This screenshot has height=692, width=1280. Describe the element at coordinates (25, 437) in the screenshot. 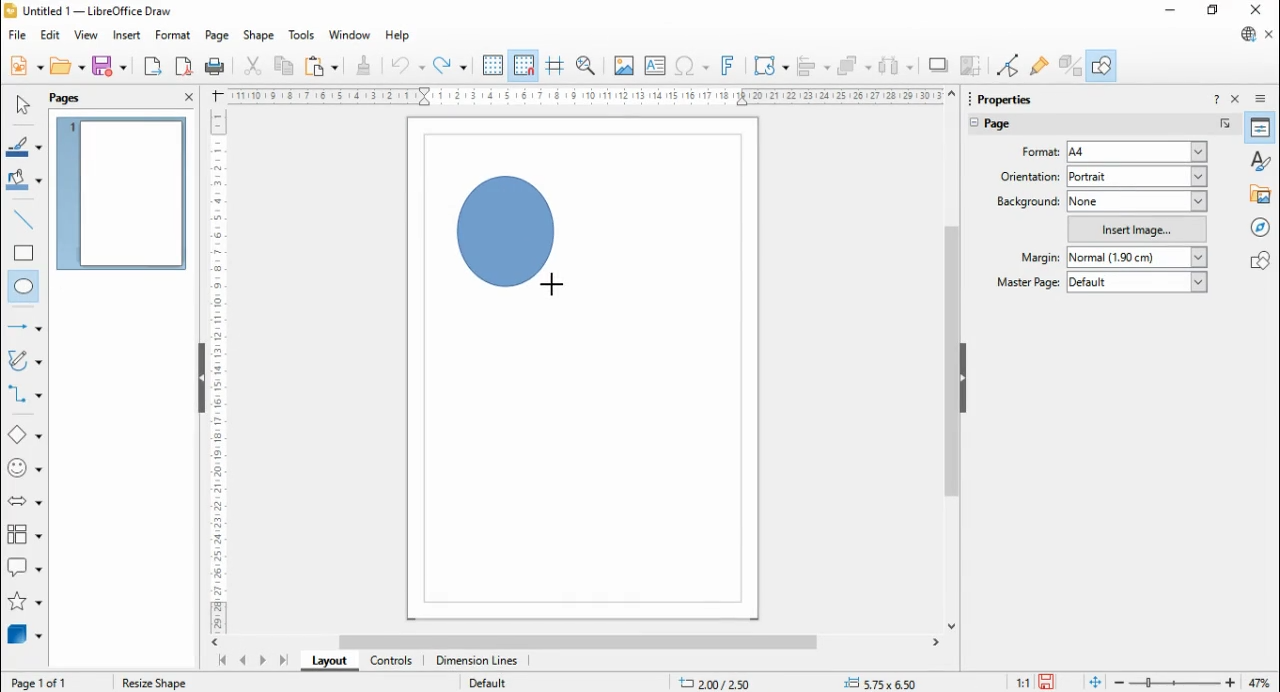

I see `basic shapes` at that location.